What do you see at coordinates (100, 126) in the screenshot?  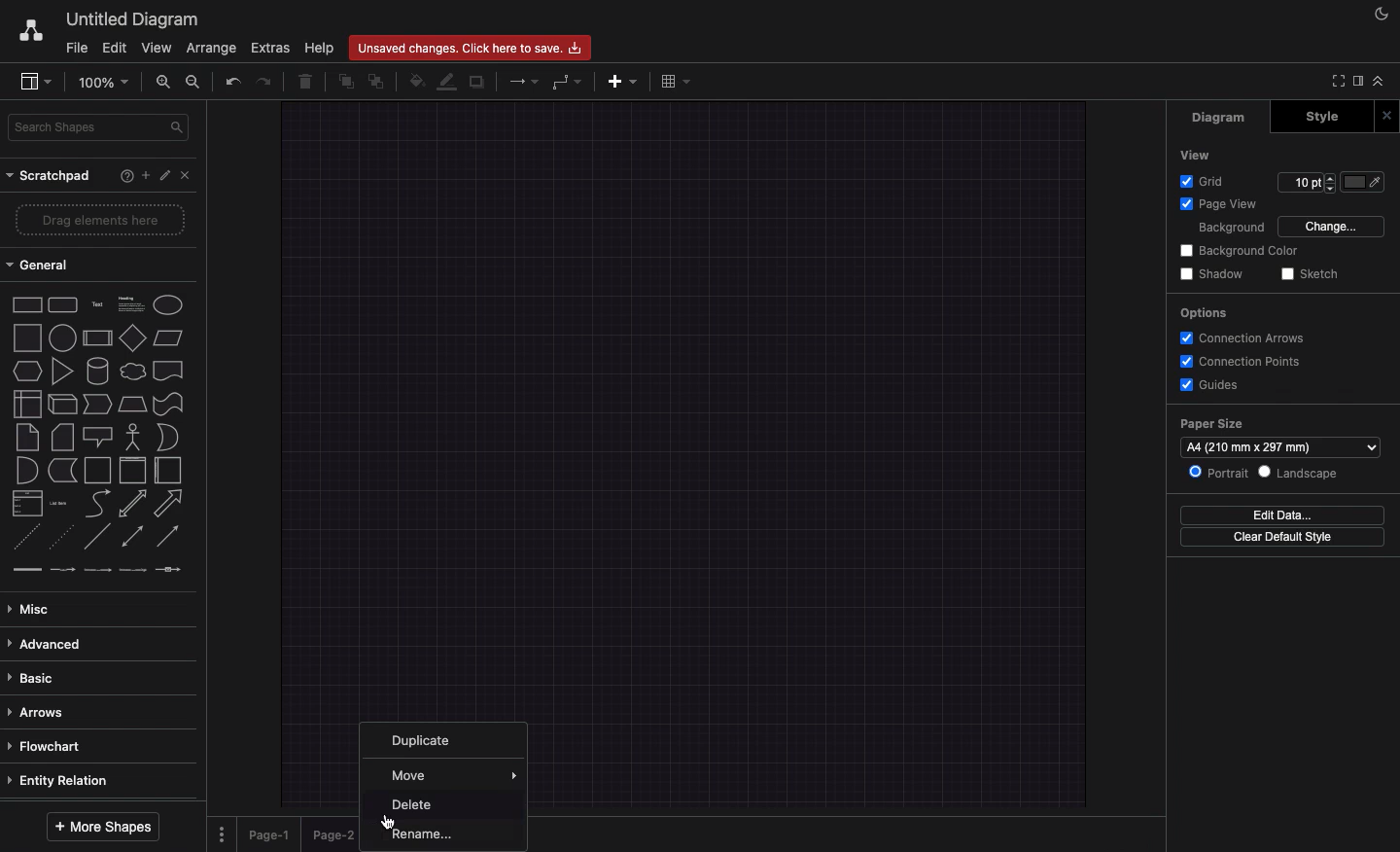 I see `Search shapes` at bounding box center [100, 126].